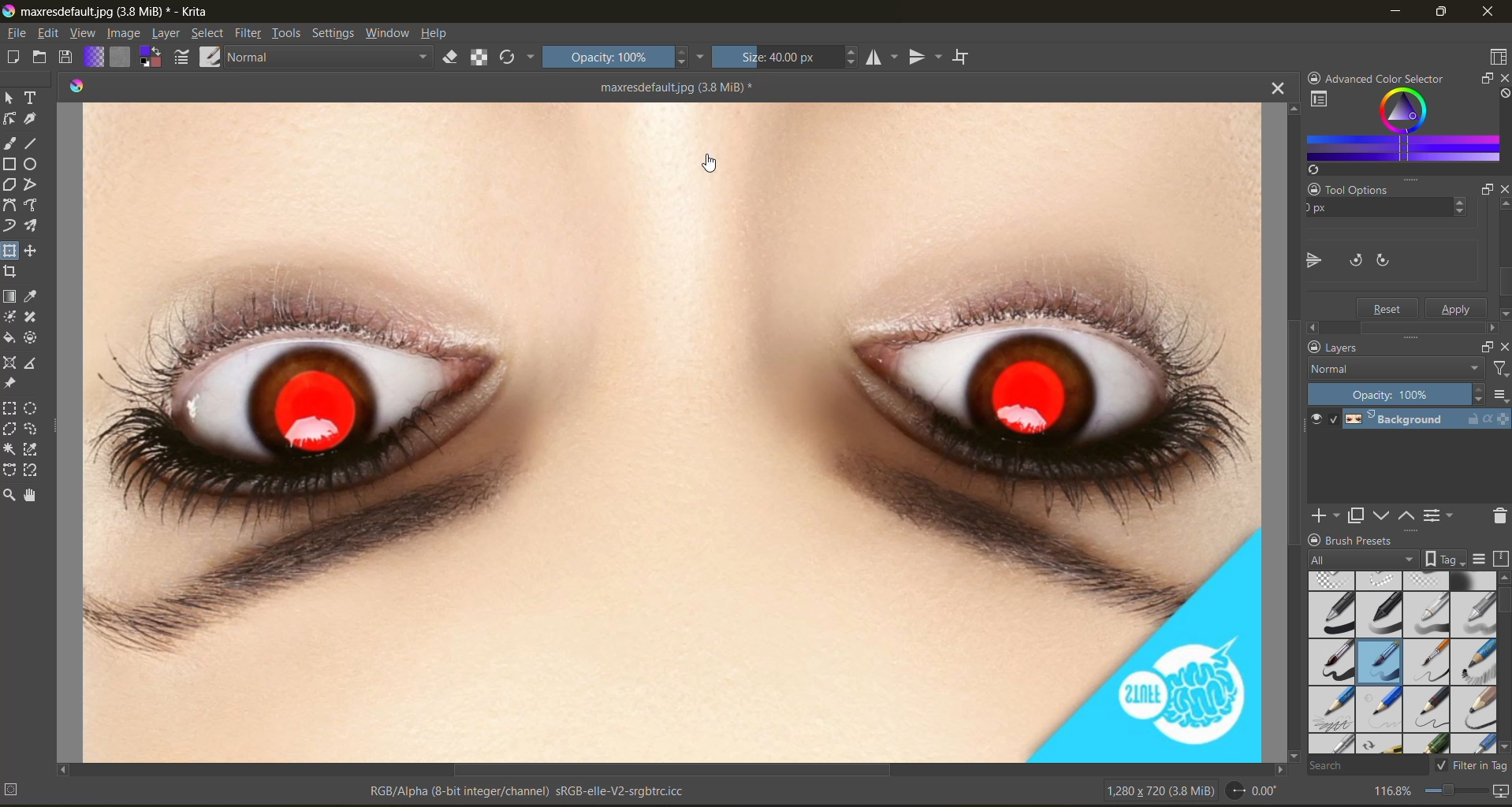 The image size is (1512, 807). Describe the element at coordinates (35, 225) in the screenshot. I see `tool` at that location.